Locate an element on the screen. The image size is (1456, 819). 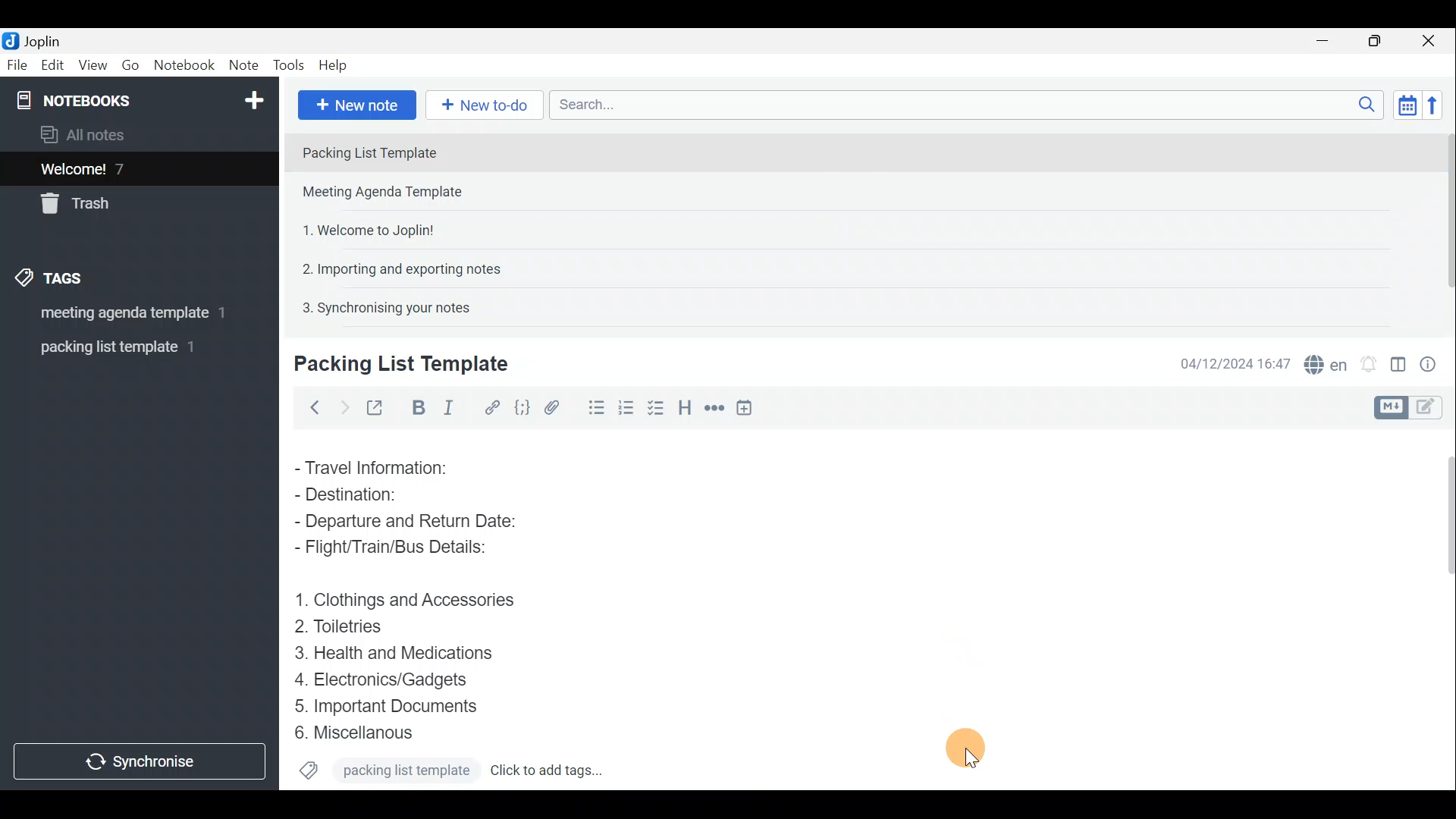
Notebook is located at coordinates (184, 67).